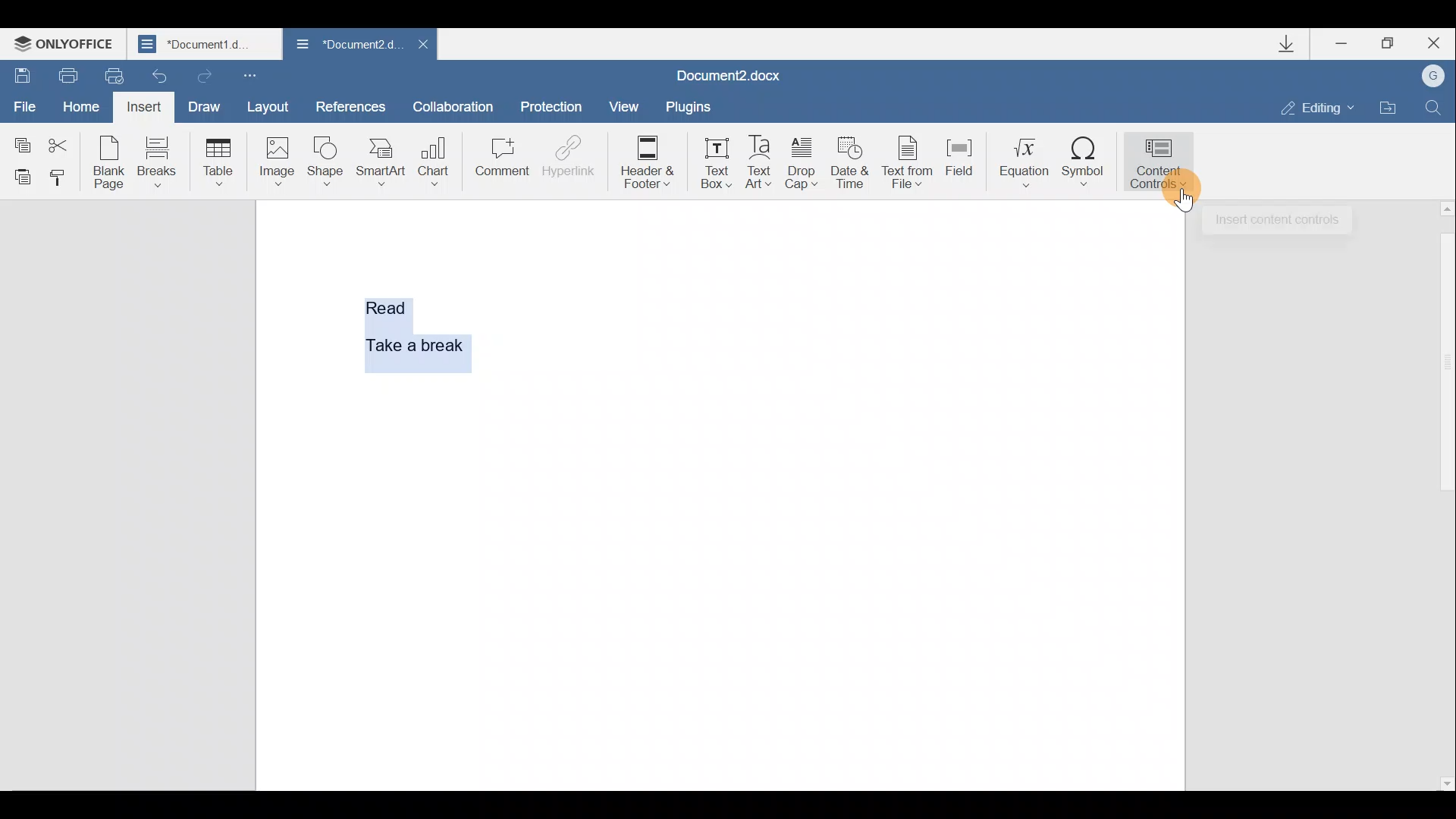  What do you see at coordinates (23, 101) in the screenshot?
I see `File` at bounding box center [23, 101].